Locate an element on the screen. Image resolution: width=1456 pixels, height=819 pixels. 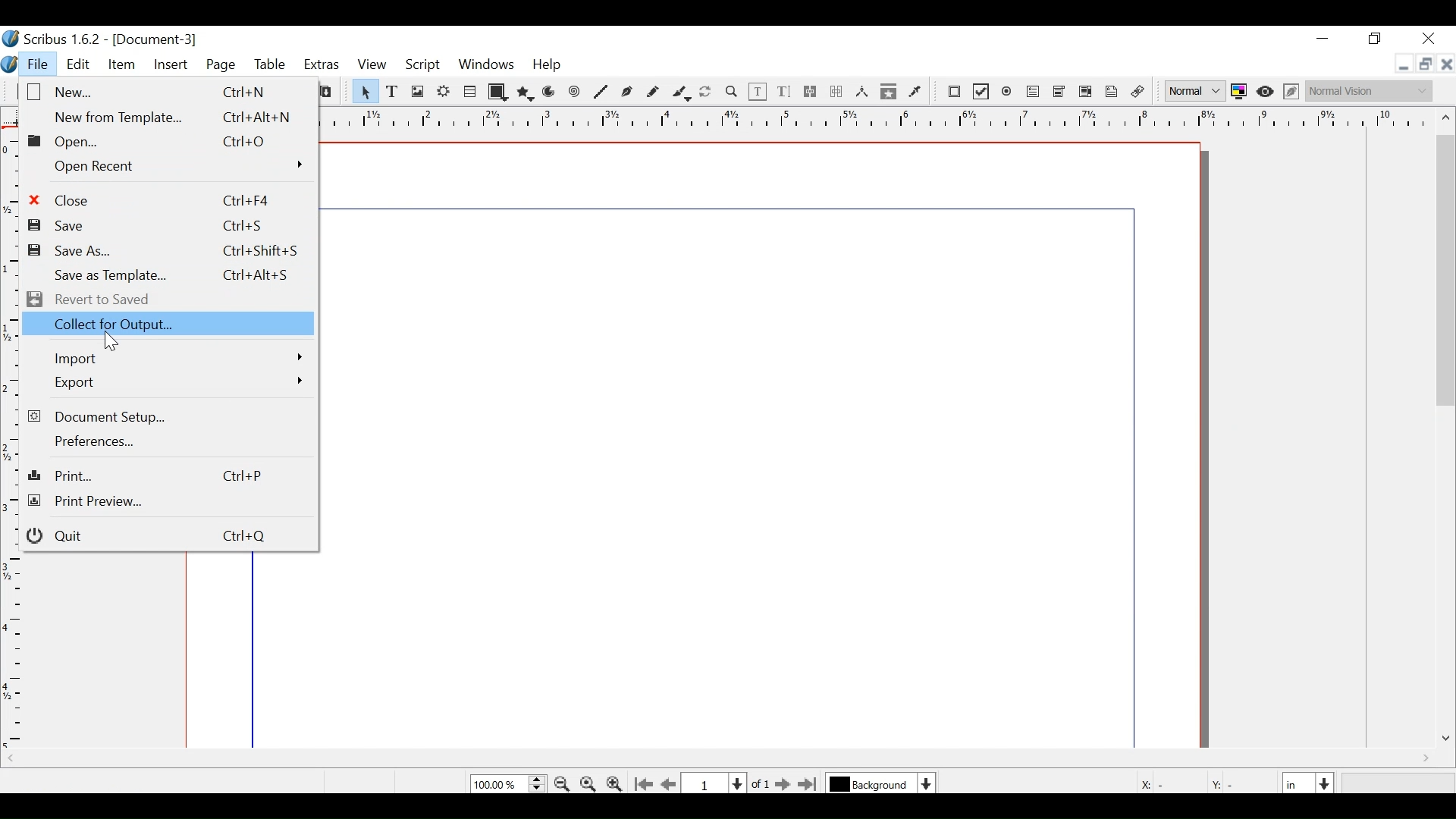
Save is located at coordinates (148, 225).